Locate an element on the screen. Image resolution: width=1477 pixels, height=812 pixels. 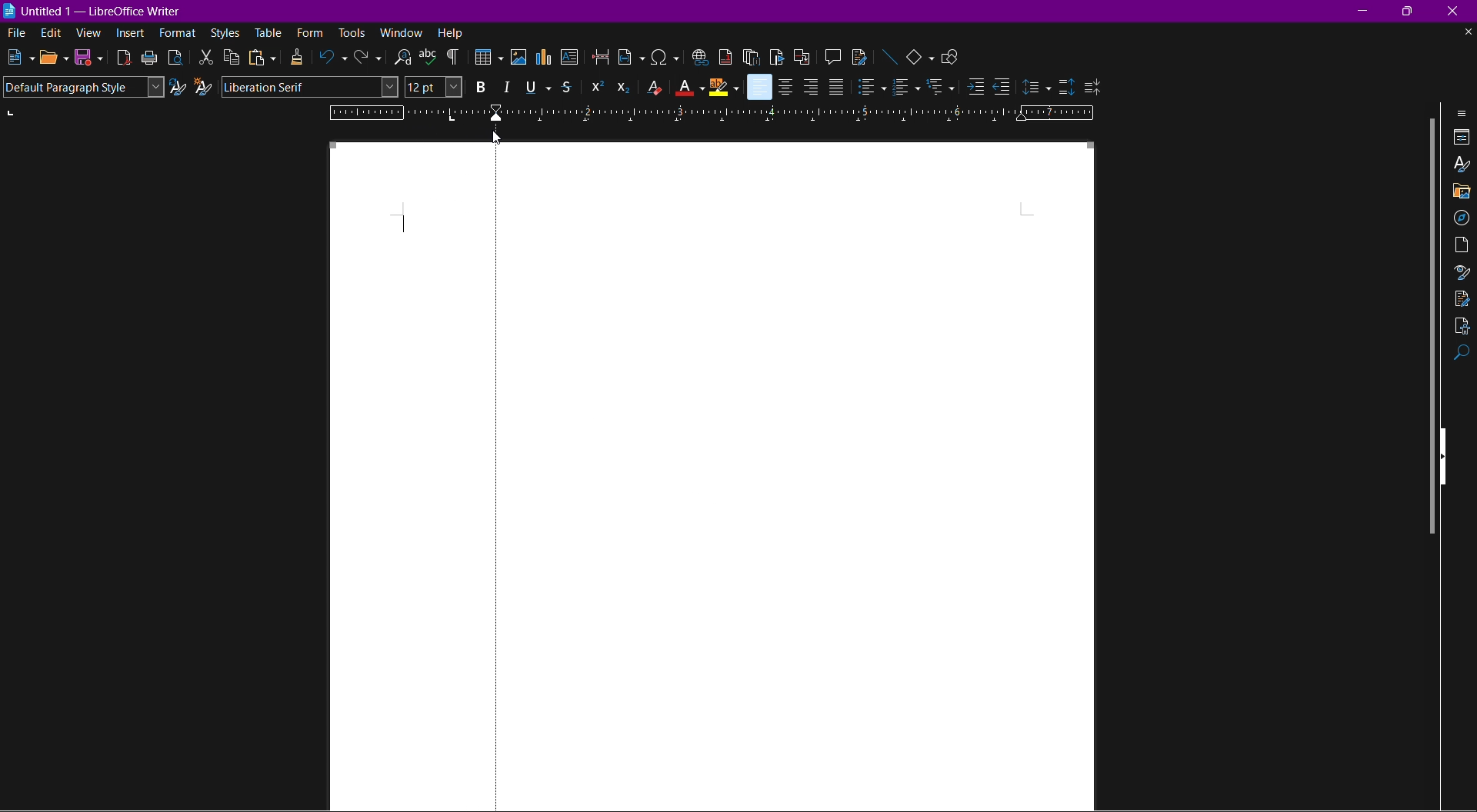
Insert Footnote is located at coordinates (724, 56).